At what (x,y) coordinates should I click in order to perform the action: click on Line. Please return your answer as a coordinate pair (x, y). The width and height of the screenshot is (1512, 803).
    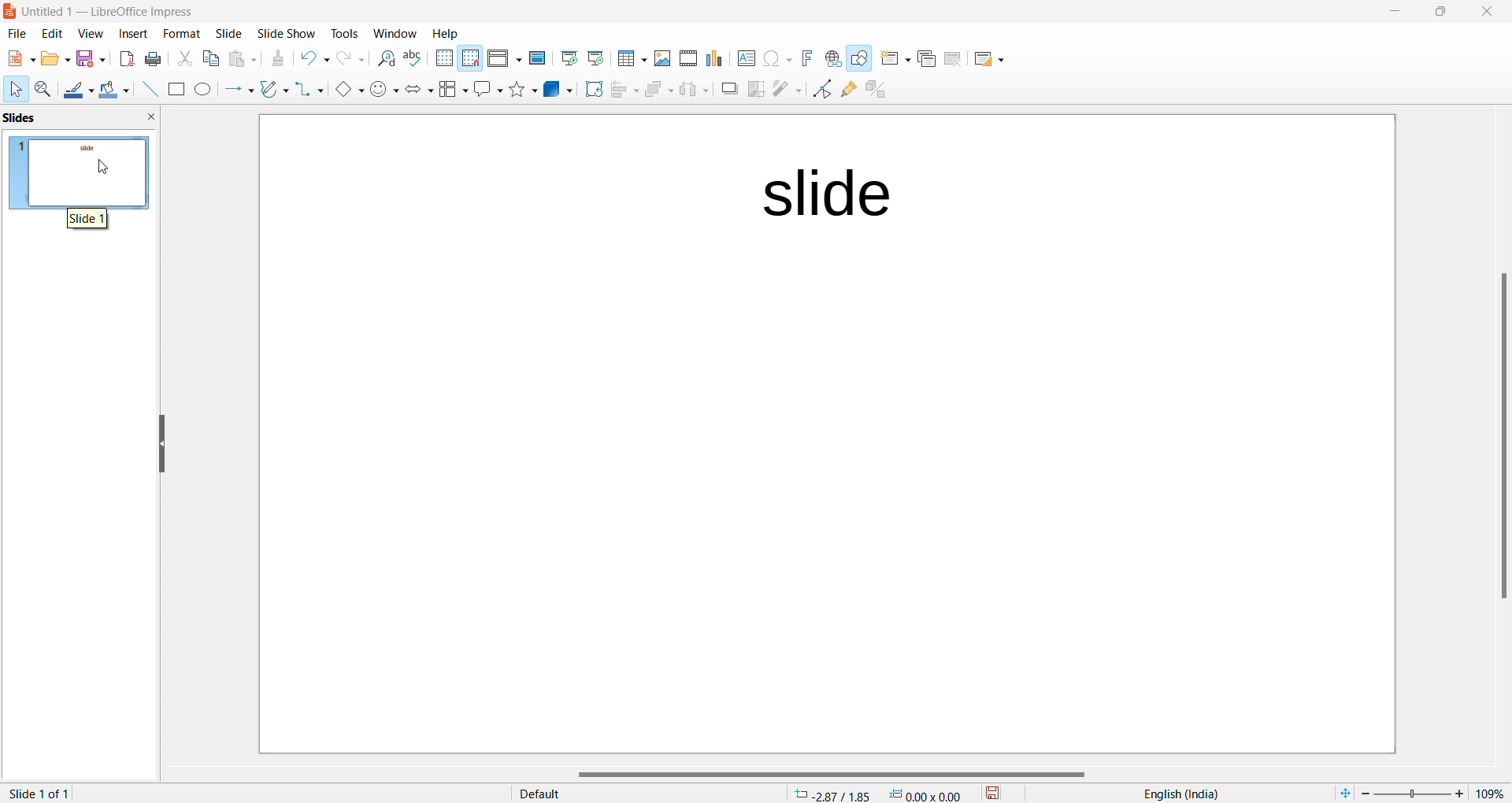
    Looking at the image, I should click on (145, 90).